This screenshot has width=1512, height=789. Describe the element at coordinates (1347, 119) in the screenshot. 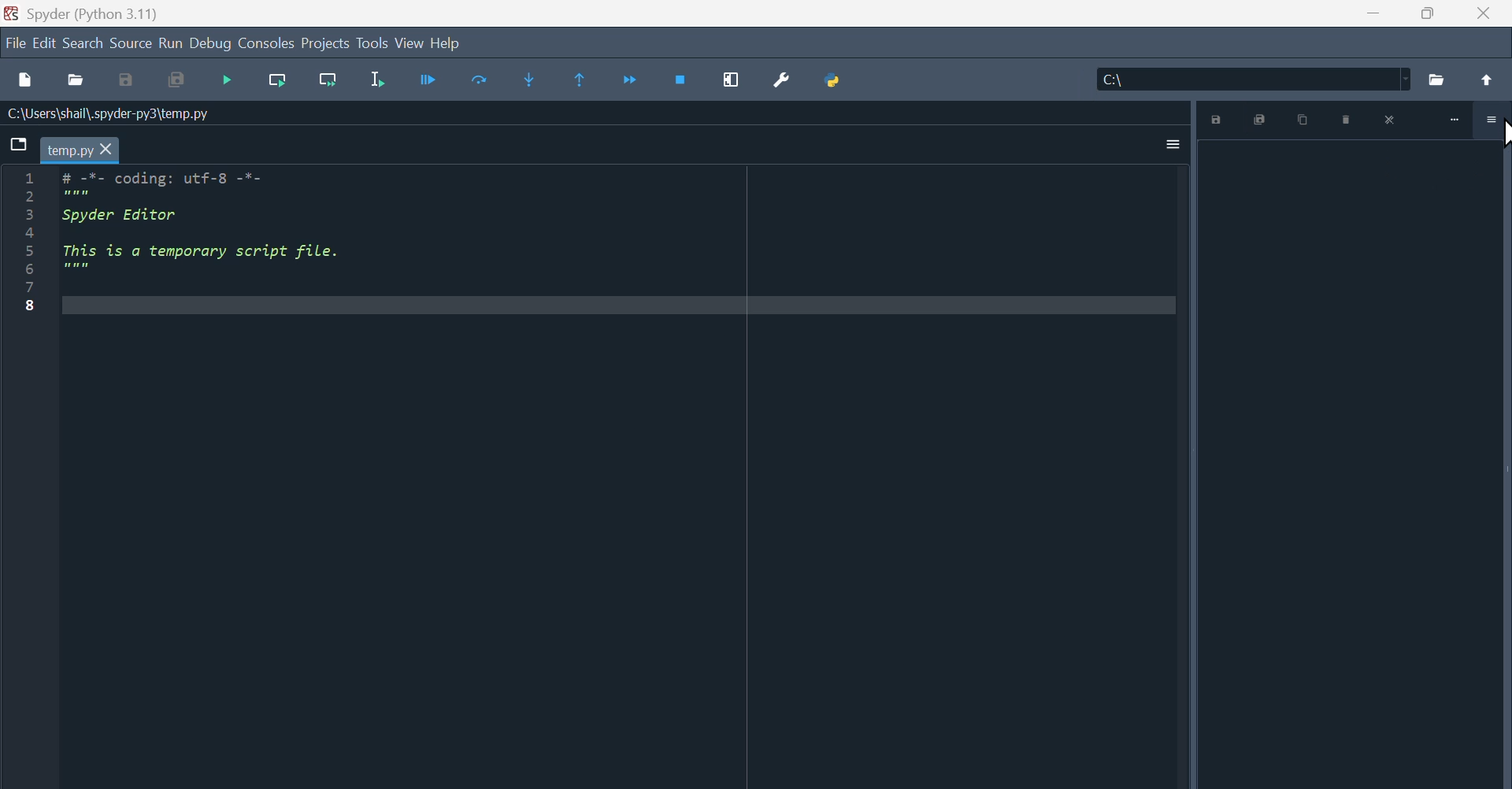

I see `Remove plot` at that location.